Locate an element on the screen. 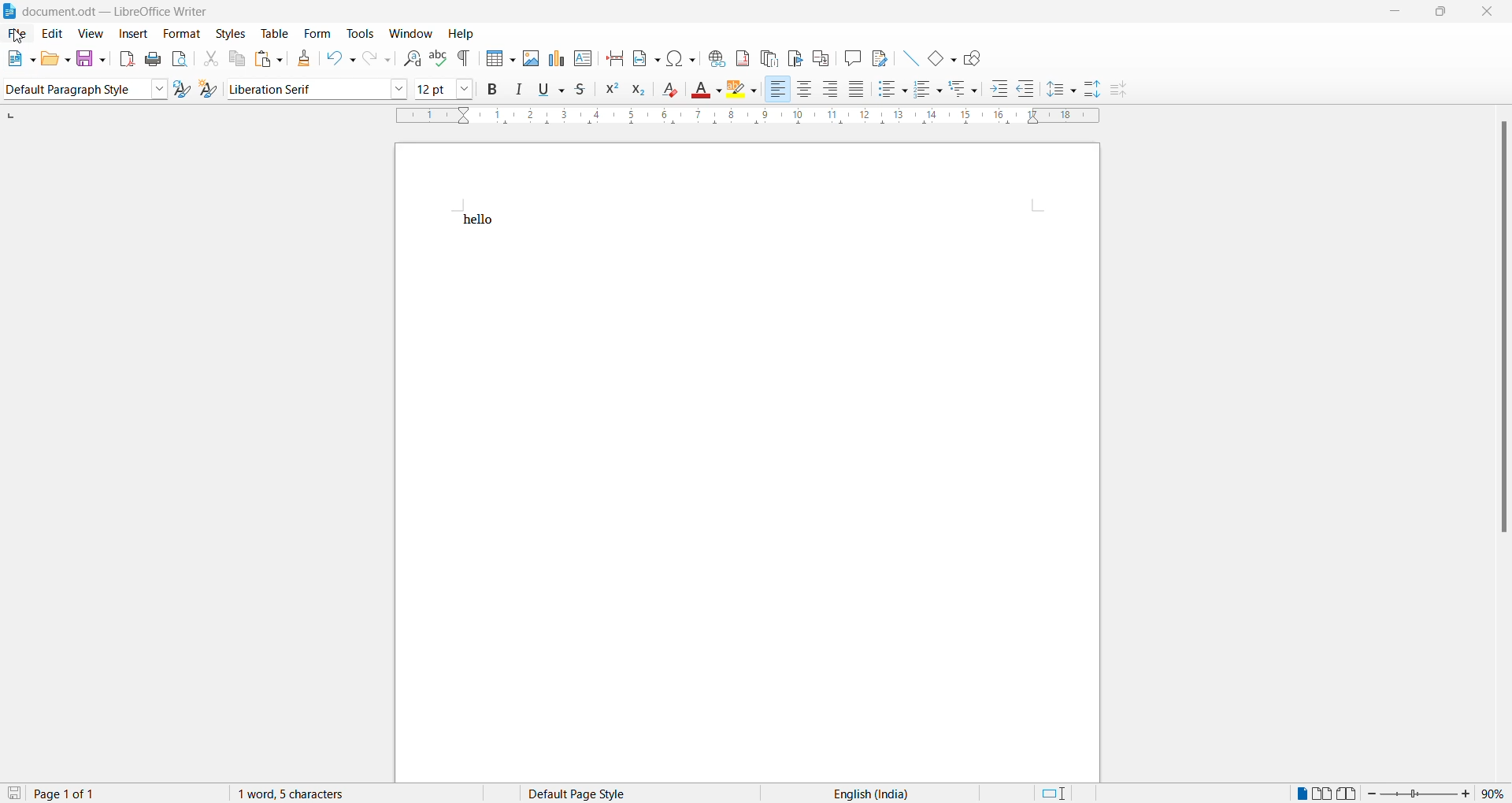  Decrease paragraph space is located at coordinates (1123, 91).